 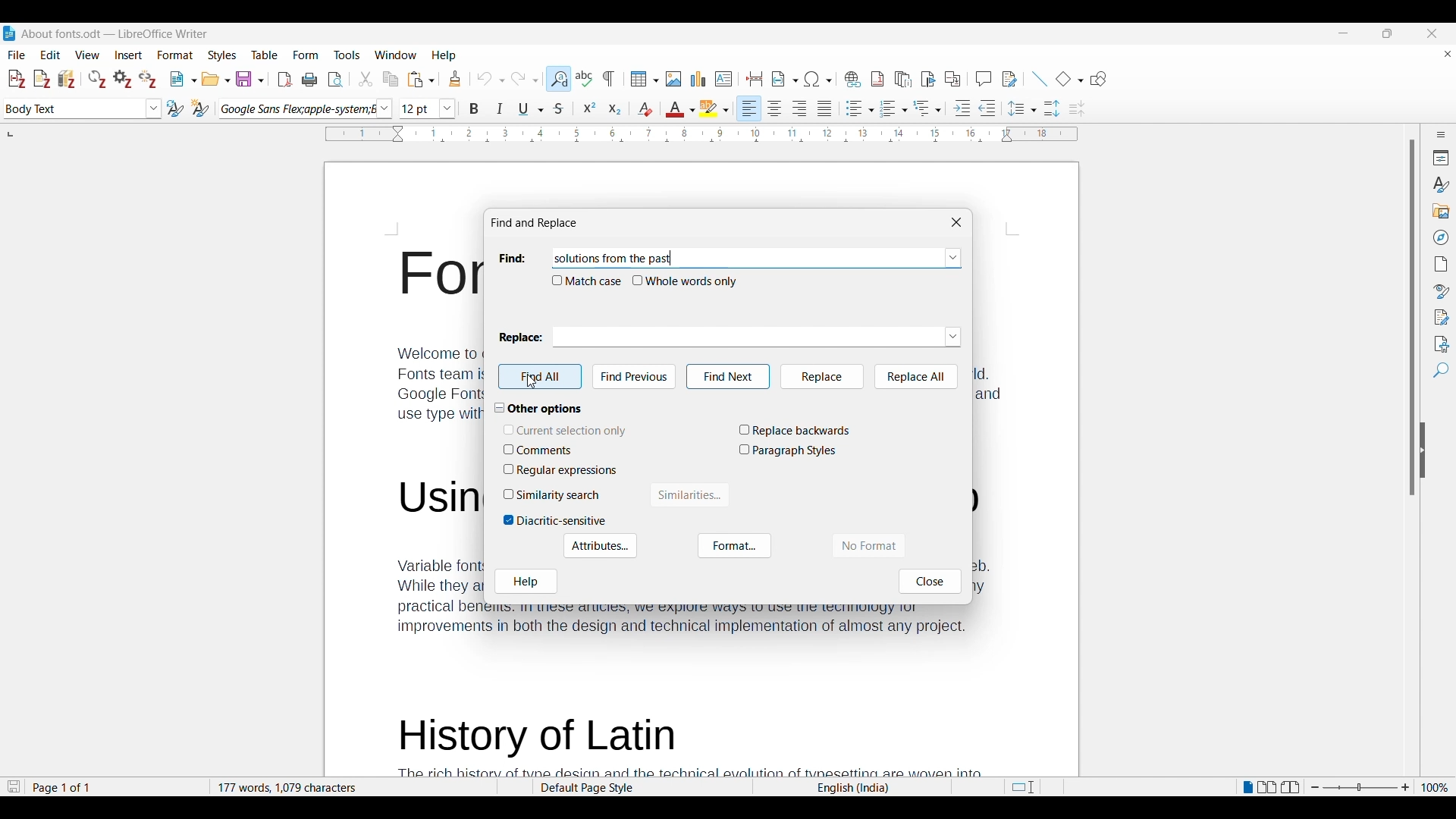 What do you see at coordinates (615, 110) in the screenshot?
I see `Subscript` at bounding box center [615, 110].